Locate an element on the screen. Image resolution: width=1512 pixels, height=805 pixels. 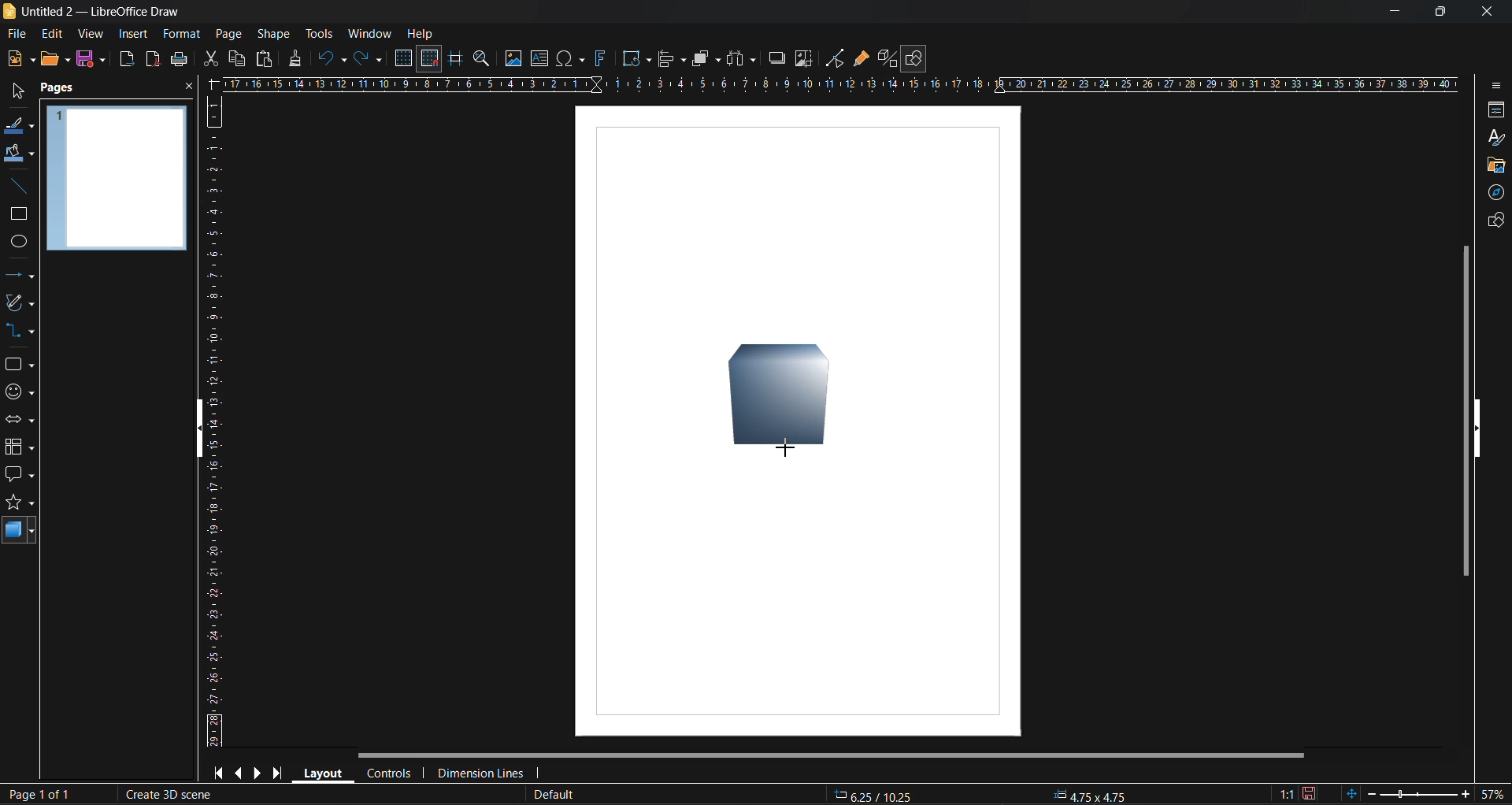
textbox is located at coordinates (542, 58).